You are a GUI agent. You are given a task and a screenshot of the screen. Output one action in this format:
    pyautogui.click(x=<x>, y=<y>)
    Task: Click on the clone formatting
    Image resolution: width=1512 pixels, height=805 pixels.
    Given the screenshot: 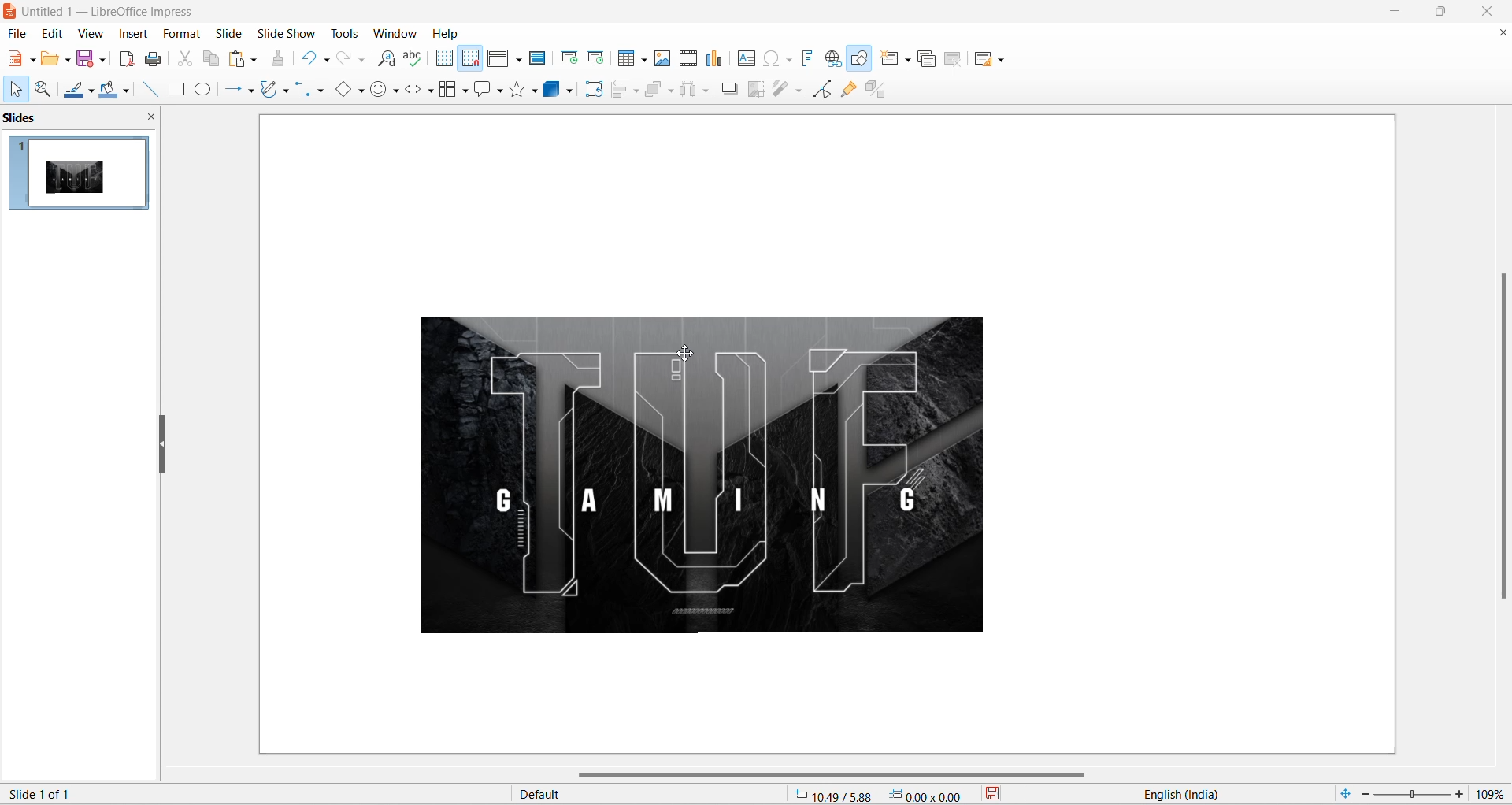 What is the action you would take?
    pyautogui.click(x=282, y=60)
    